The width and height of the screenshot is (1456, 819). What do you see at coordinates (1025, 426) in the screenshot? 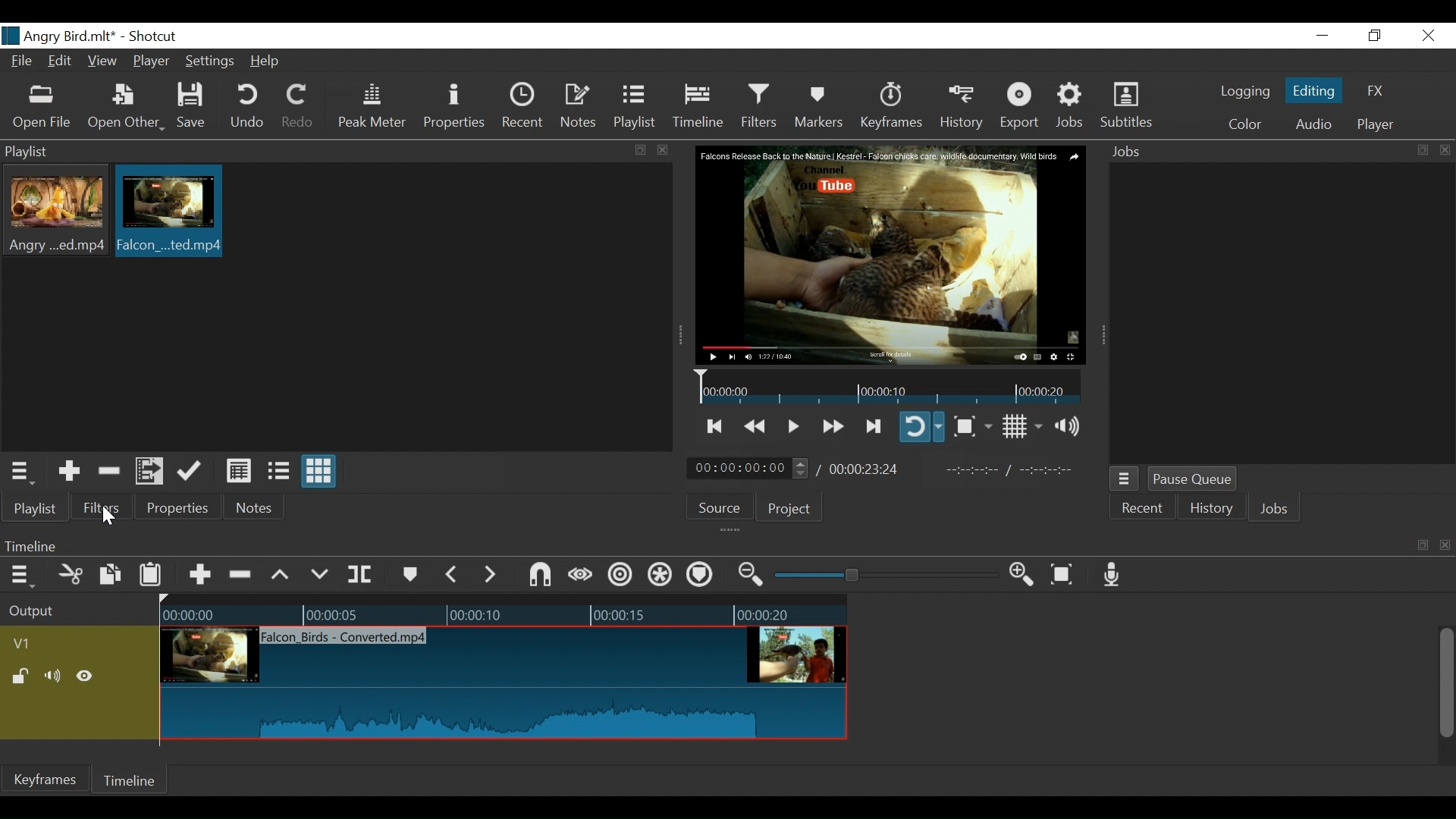
I see `Toggle display grid on player` at bounding box center [1025, 426].